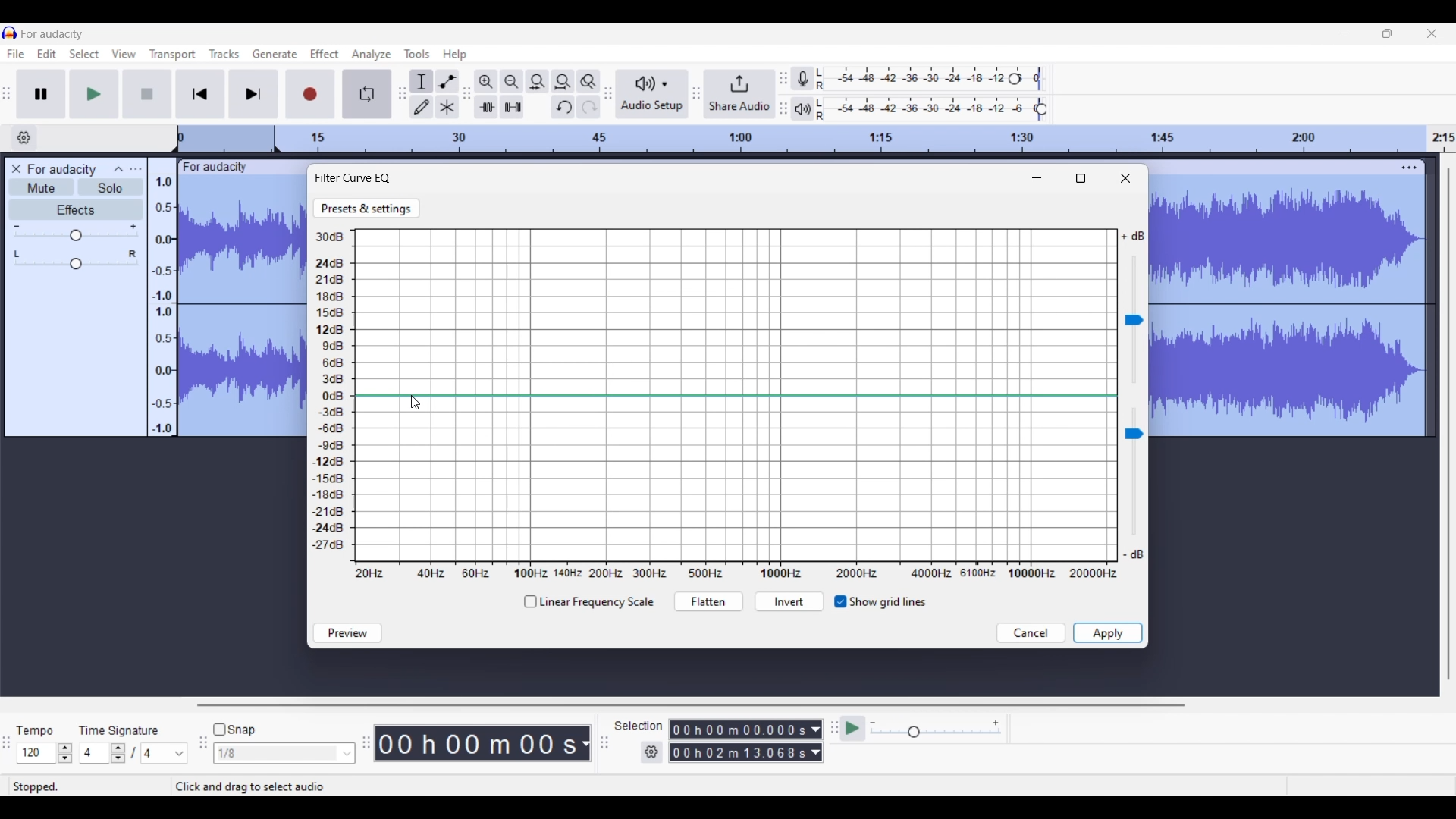  I want to click on Redo, so click(588, 106).